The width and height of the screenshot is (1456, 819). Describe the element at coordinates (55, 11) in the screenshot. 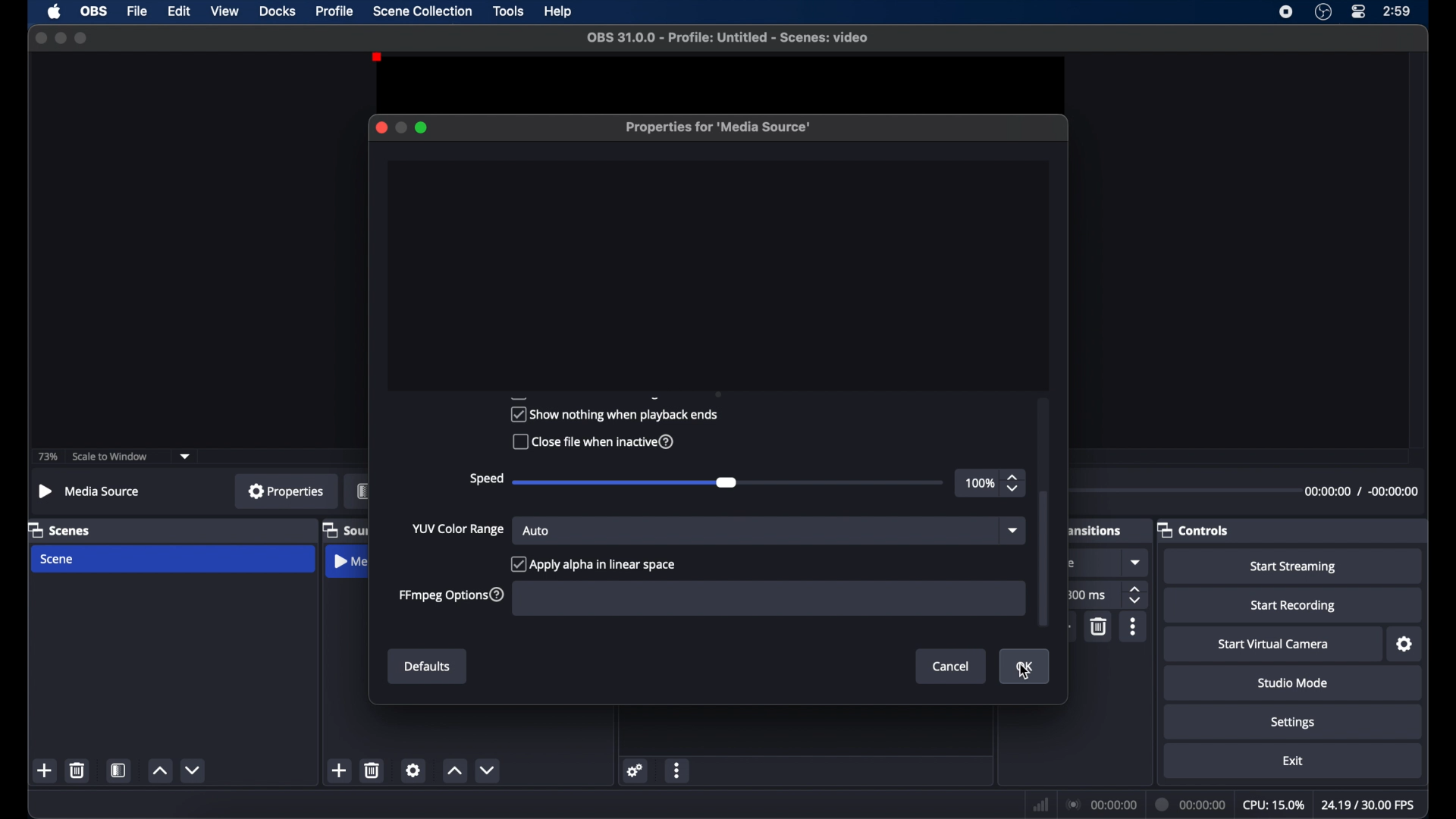

I see `apple icon` at that location.